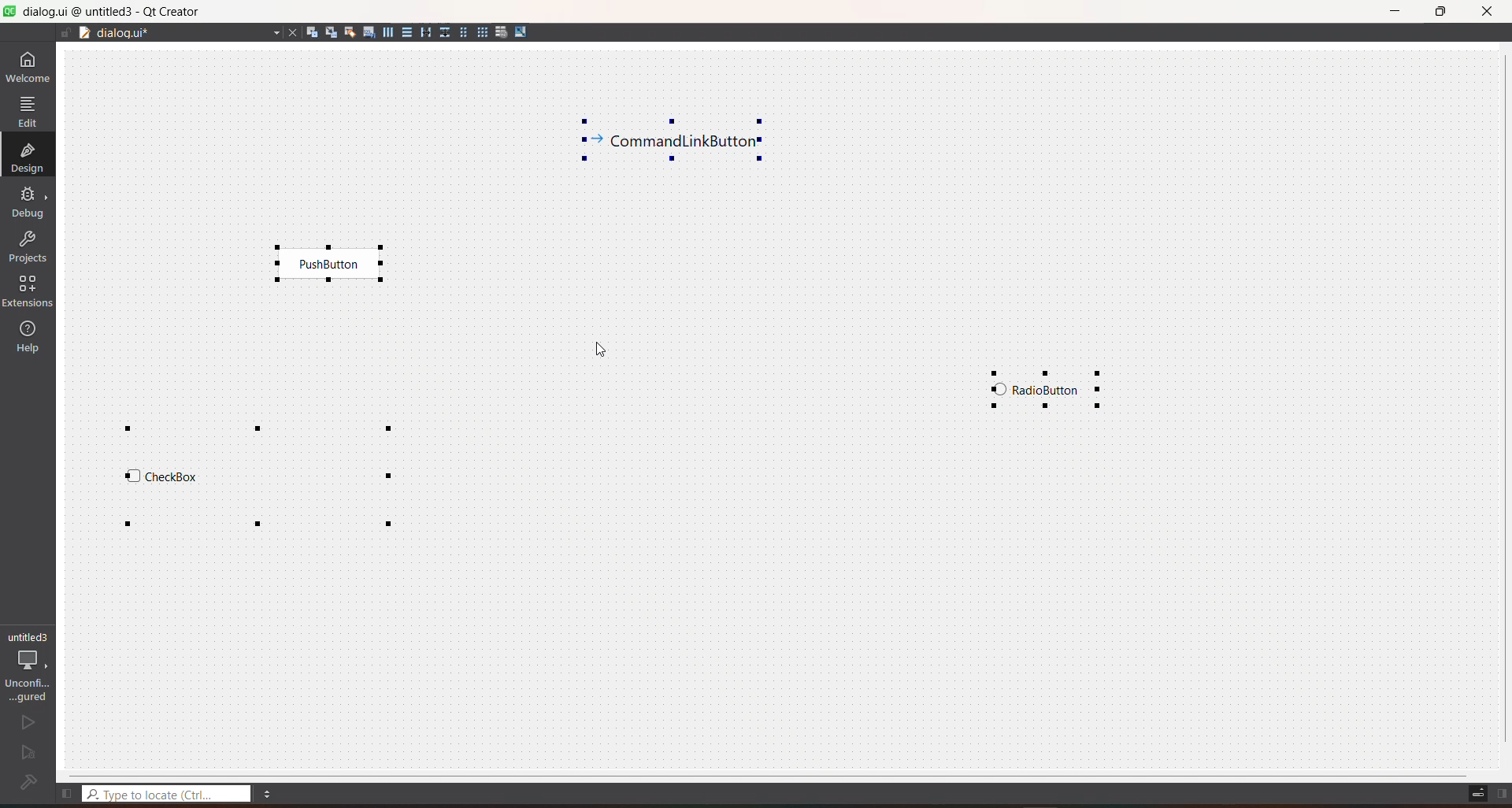 Image resolution: width=1512 pixels, height=808 pixels. Describe the element at coordinates (327, 267) in the screenshot. I see `selected widget 3` at that location.